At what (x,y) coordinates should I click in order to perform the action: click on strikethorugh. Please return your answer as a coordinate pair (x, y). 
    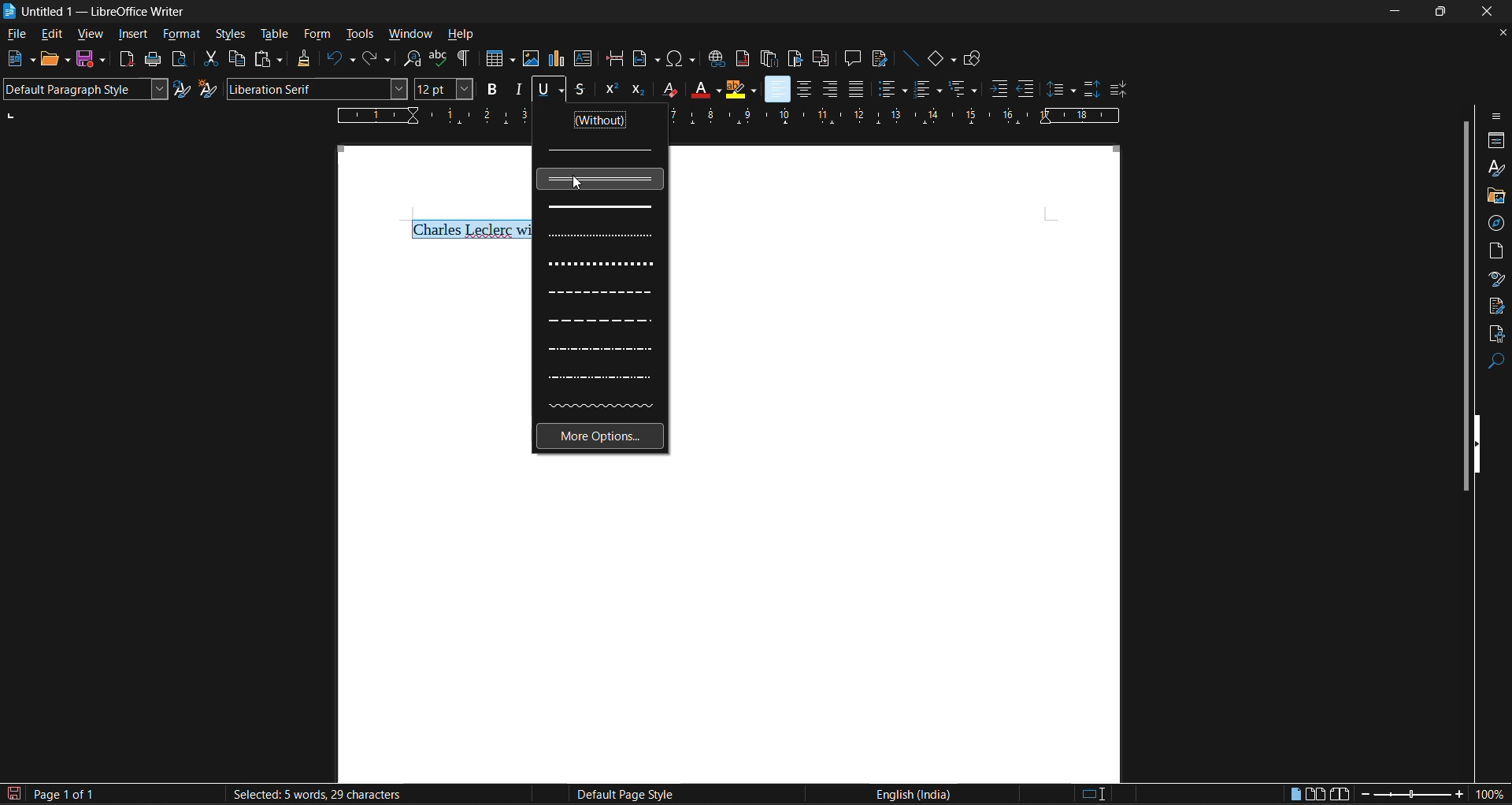
    Looking at the image, I should click on (580, 90).